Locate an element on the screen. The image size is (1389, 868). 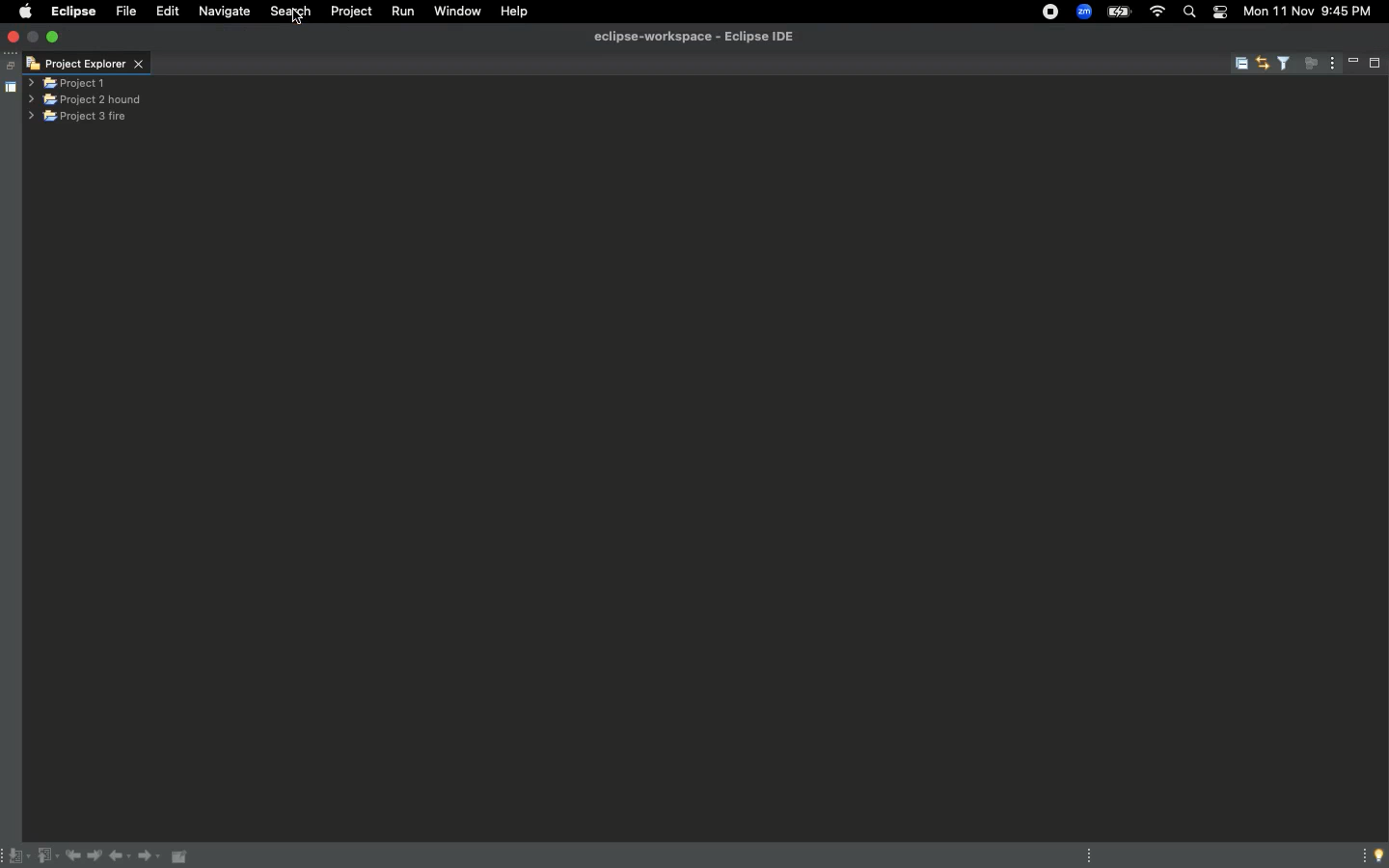
Mon 11 Nov 9:45 PM is located at coordinates (1314, 11).